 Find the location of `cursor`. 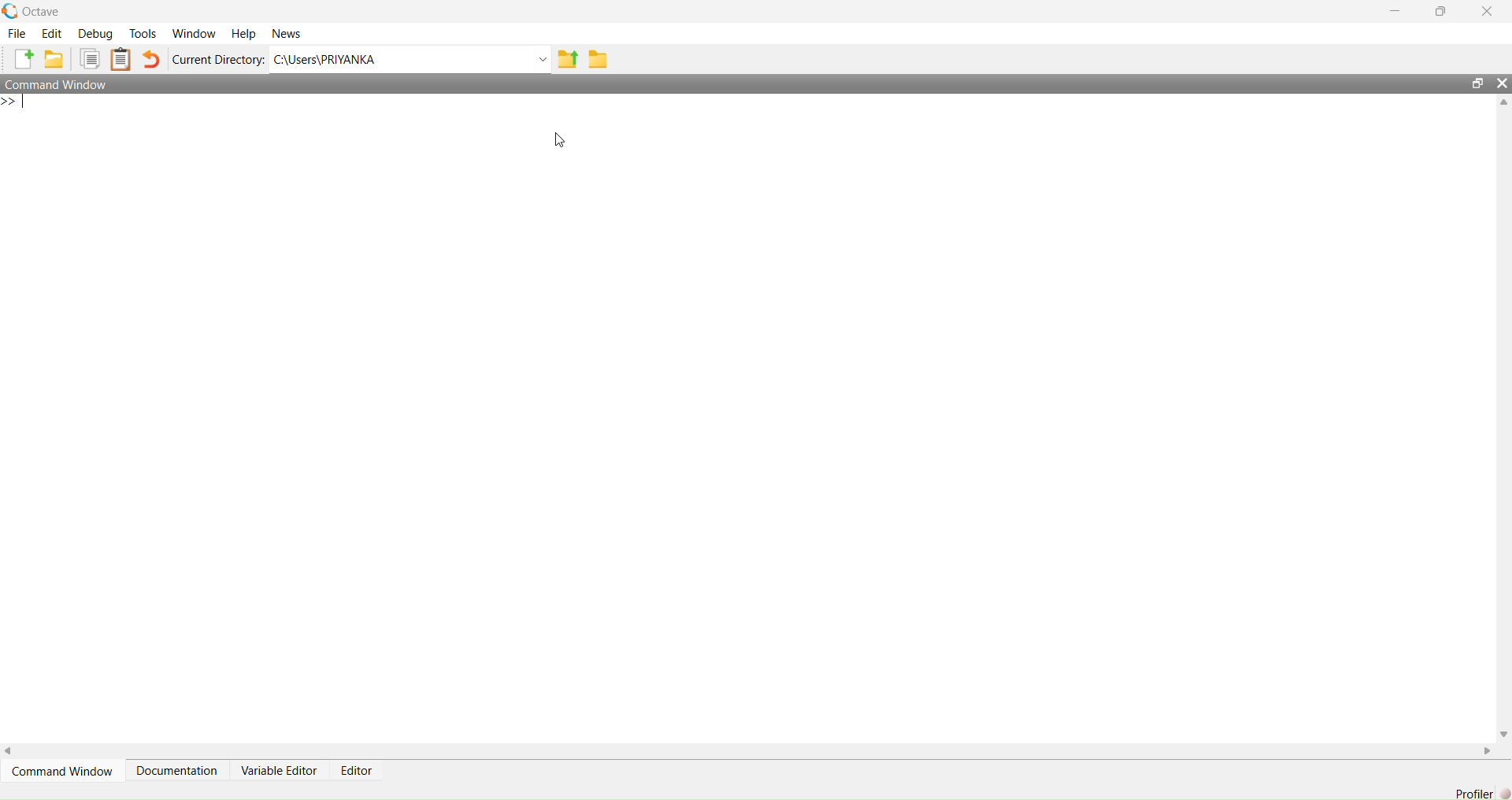

cursor is located at coordinates (561, 141).